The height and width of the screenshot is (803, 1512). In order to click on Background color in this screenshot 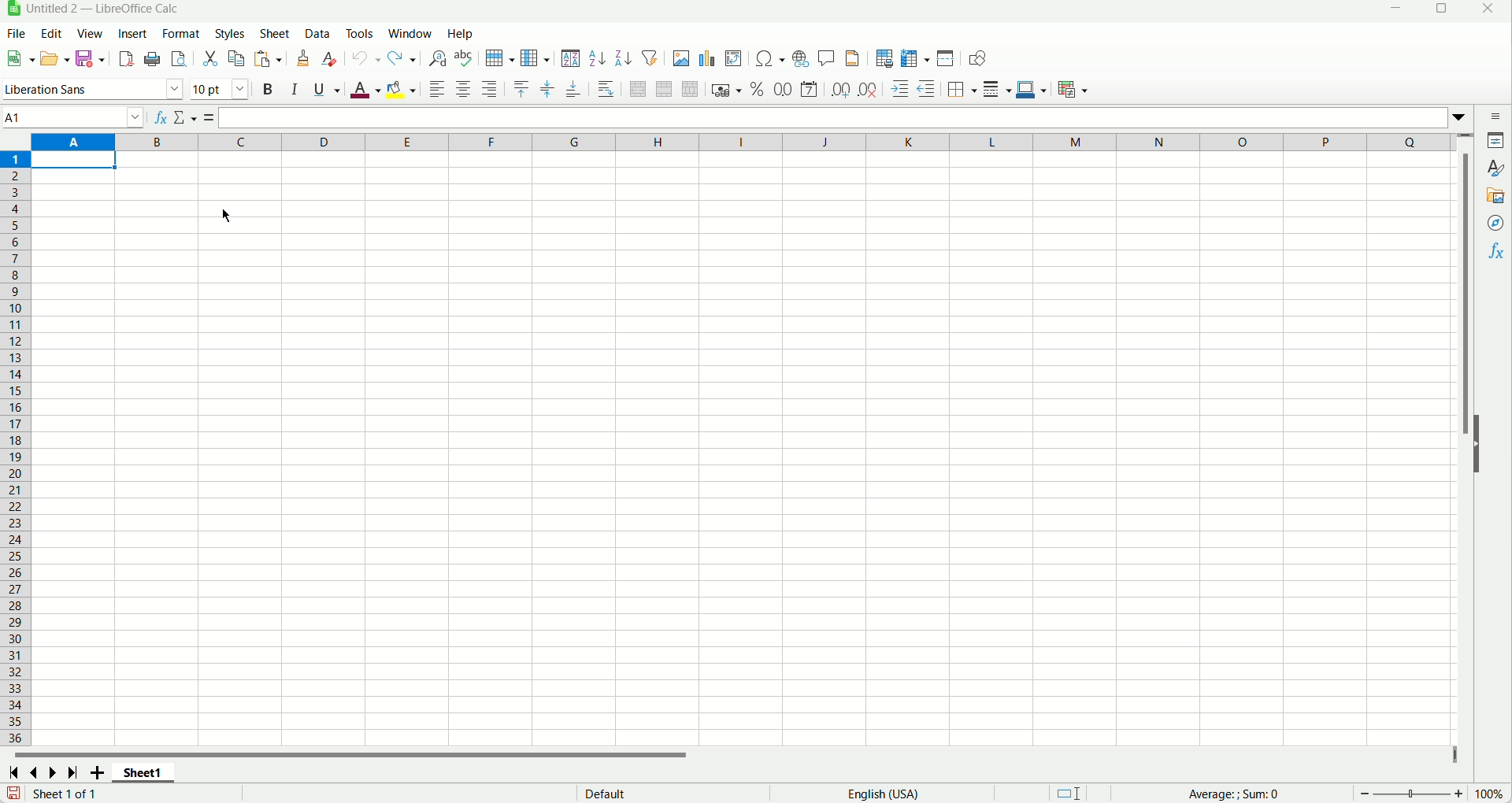, I will do `click(402, 91)`.